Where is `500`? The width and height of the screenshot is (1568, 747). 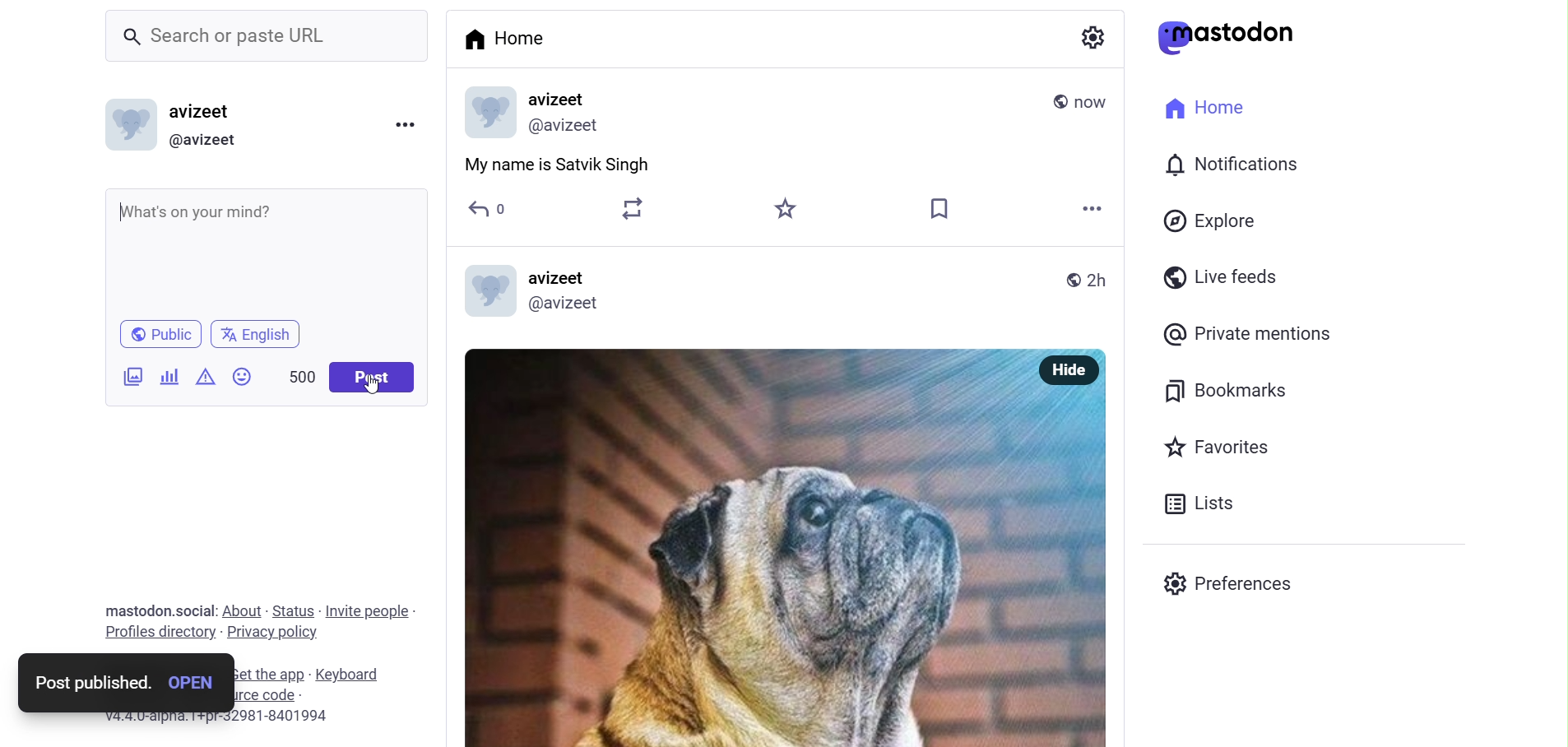 500 is located at coordinates (299, 375).